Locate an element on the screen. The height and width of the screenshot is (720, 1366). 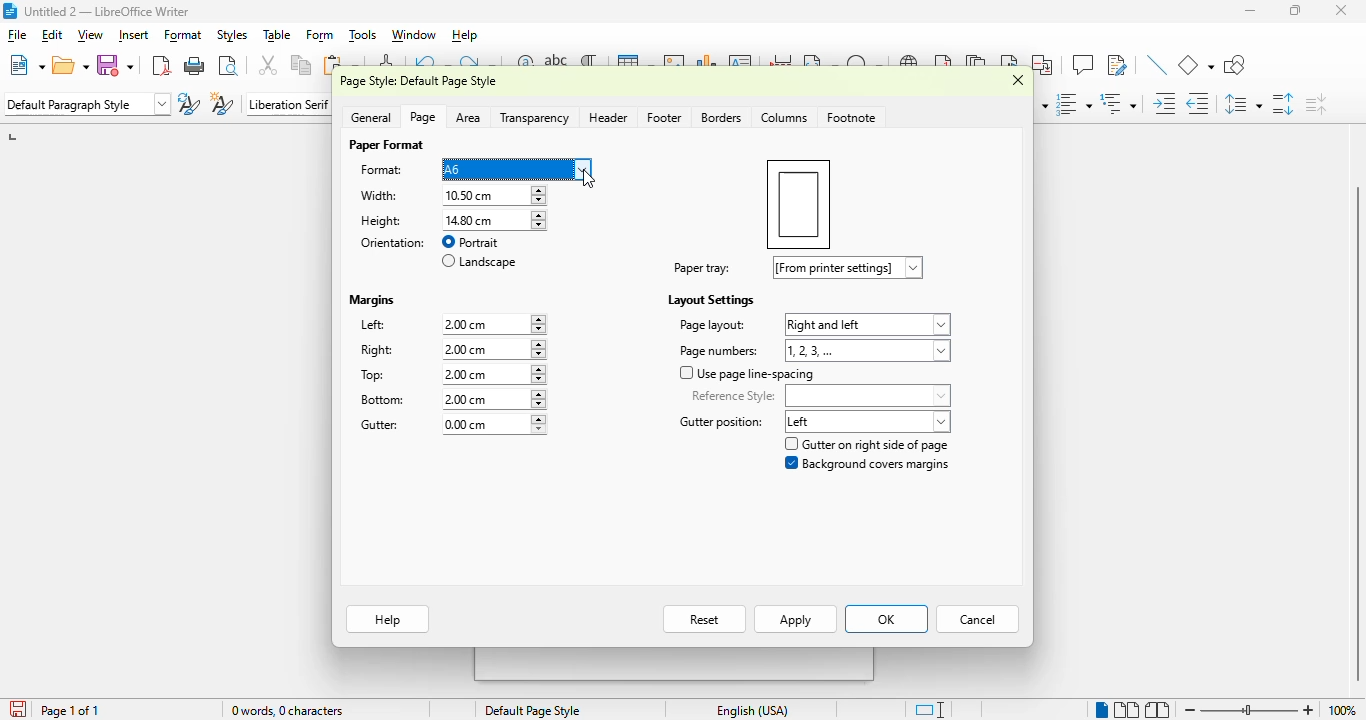
minimize is located at coordinates (1250, 10).